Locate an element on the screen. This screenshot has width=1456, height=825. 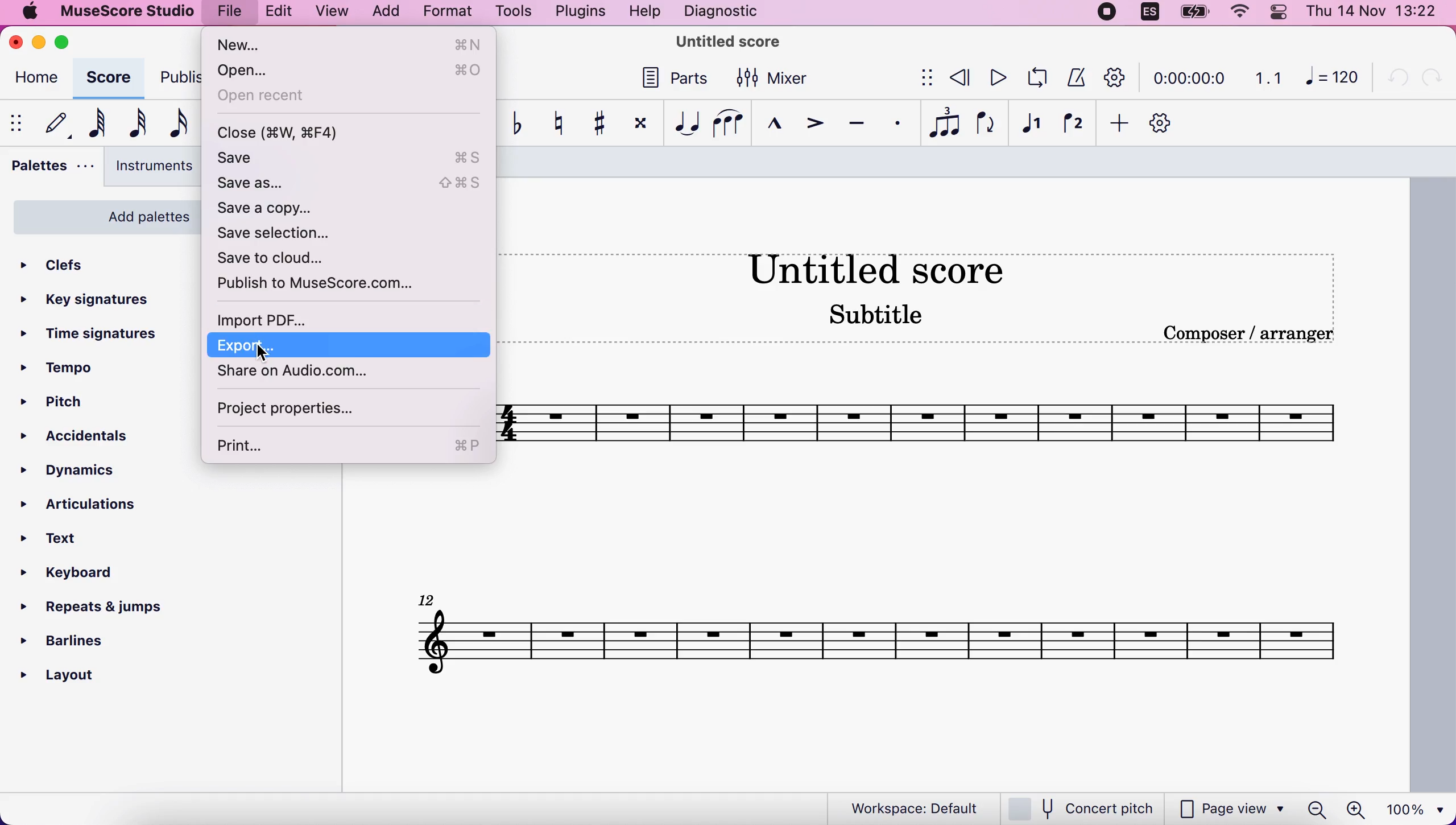
articulations is located at coordinates (78, 505).